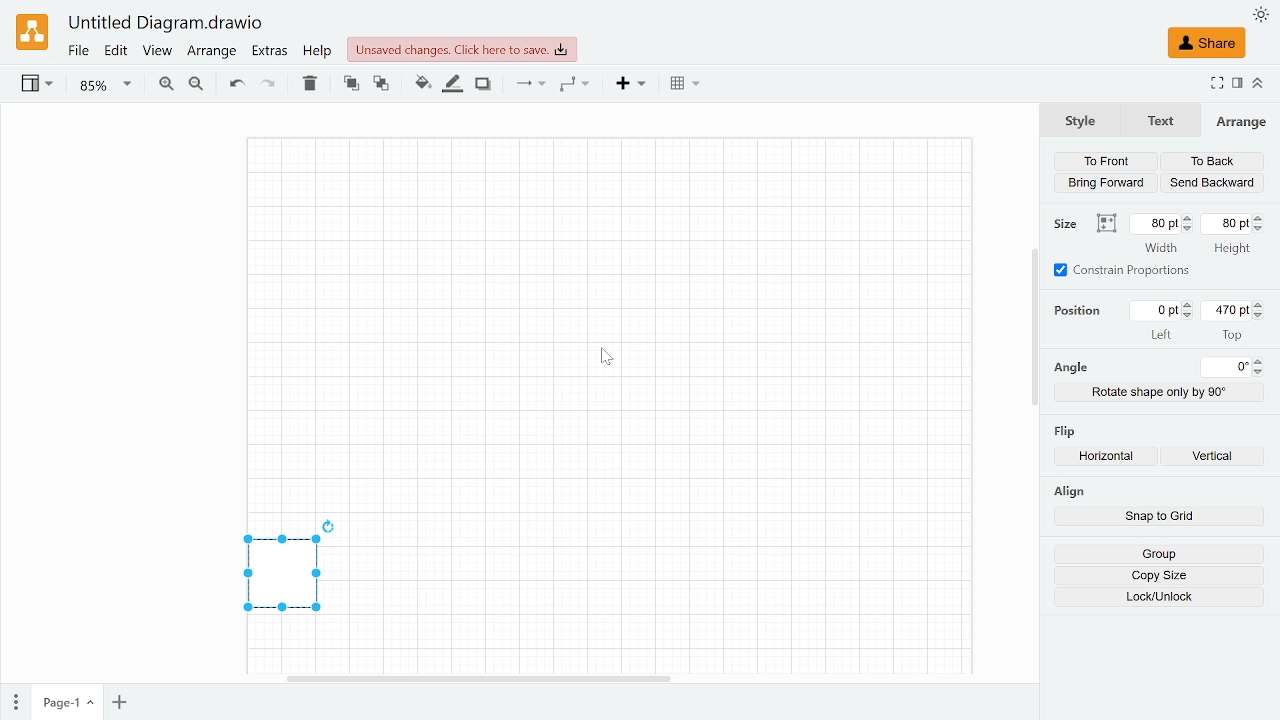 This screenshot has height=720, width=1280. What do you see at coordinates (1189, 229) in the screenshot?
I see `Decrease width` at bounding box center [1189, 229].